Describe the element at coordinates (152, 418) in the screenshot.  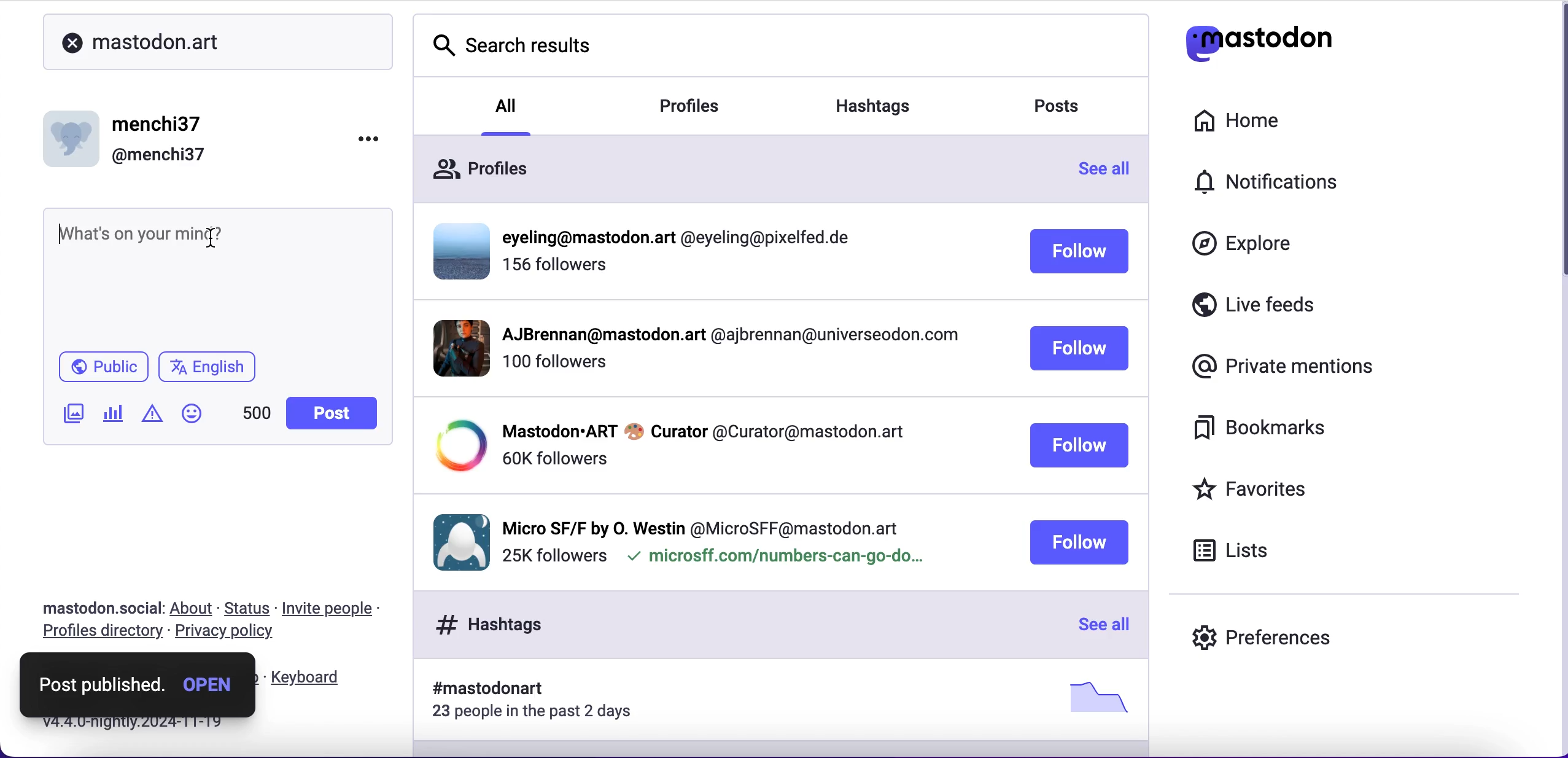
I see `add warnings` at that location.